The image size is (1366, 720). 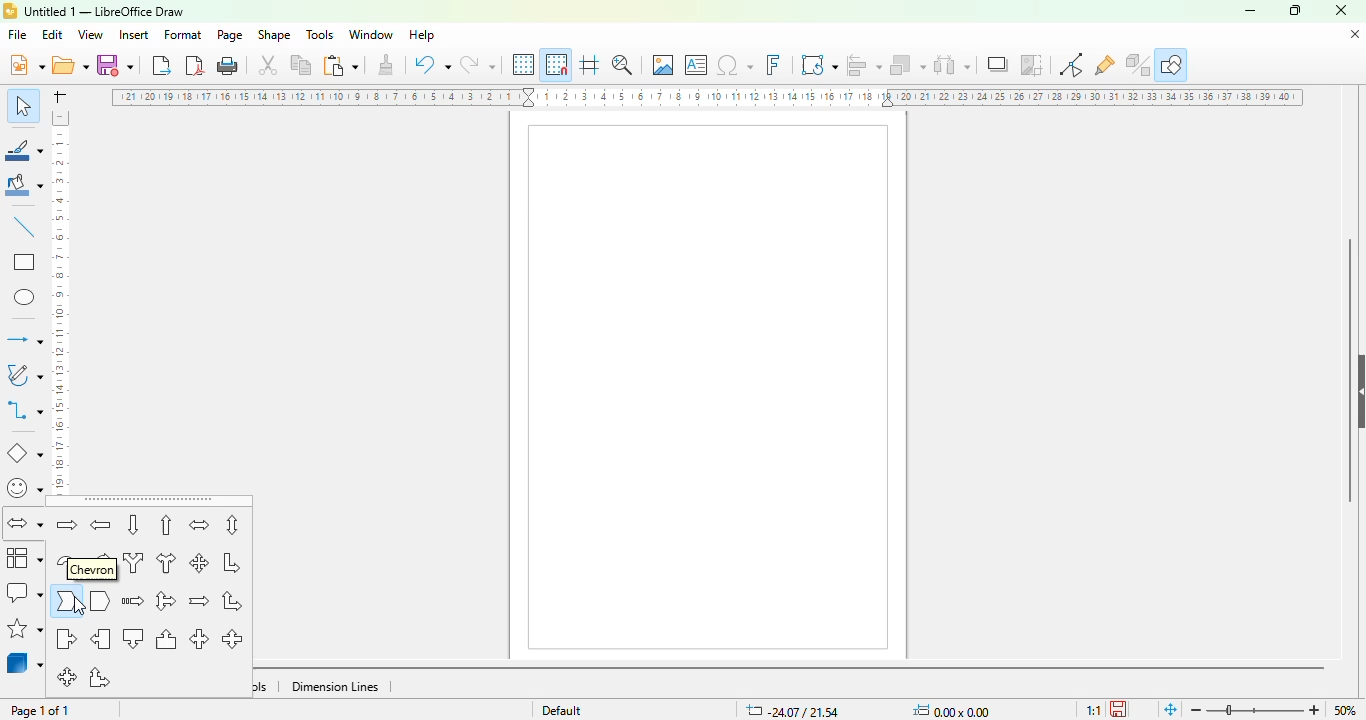 What do you see at coordinates (1197, 710) in the screenshot?
I see `zoom out` at bounding box center [1197, 710].